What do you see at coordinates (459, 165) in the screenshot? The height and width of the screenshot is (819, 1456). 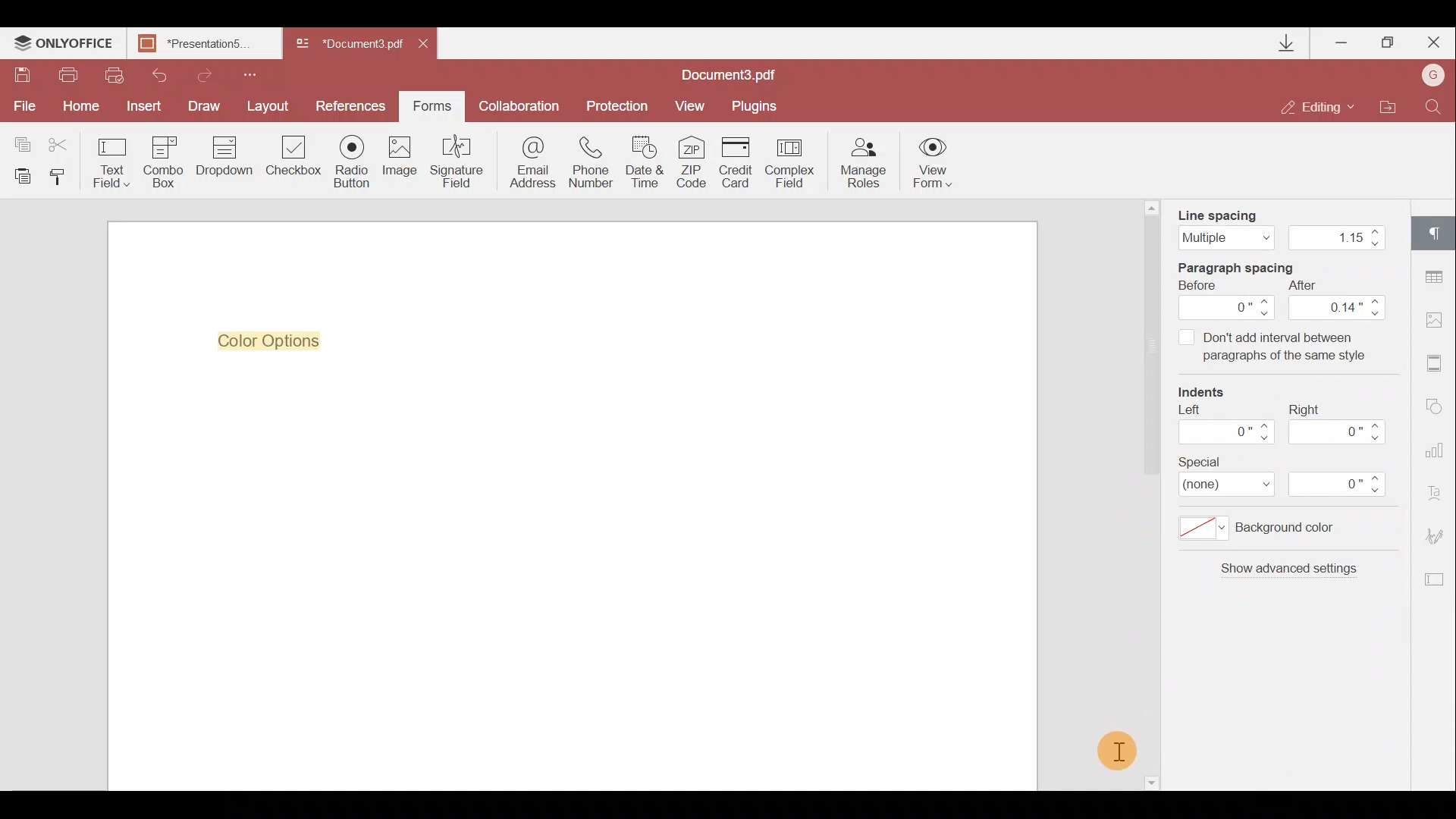 I see `Signature field` at bounding box center [459, 165].